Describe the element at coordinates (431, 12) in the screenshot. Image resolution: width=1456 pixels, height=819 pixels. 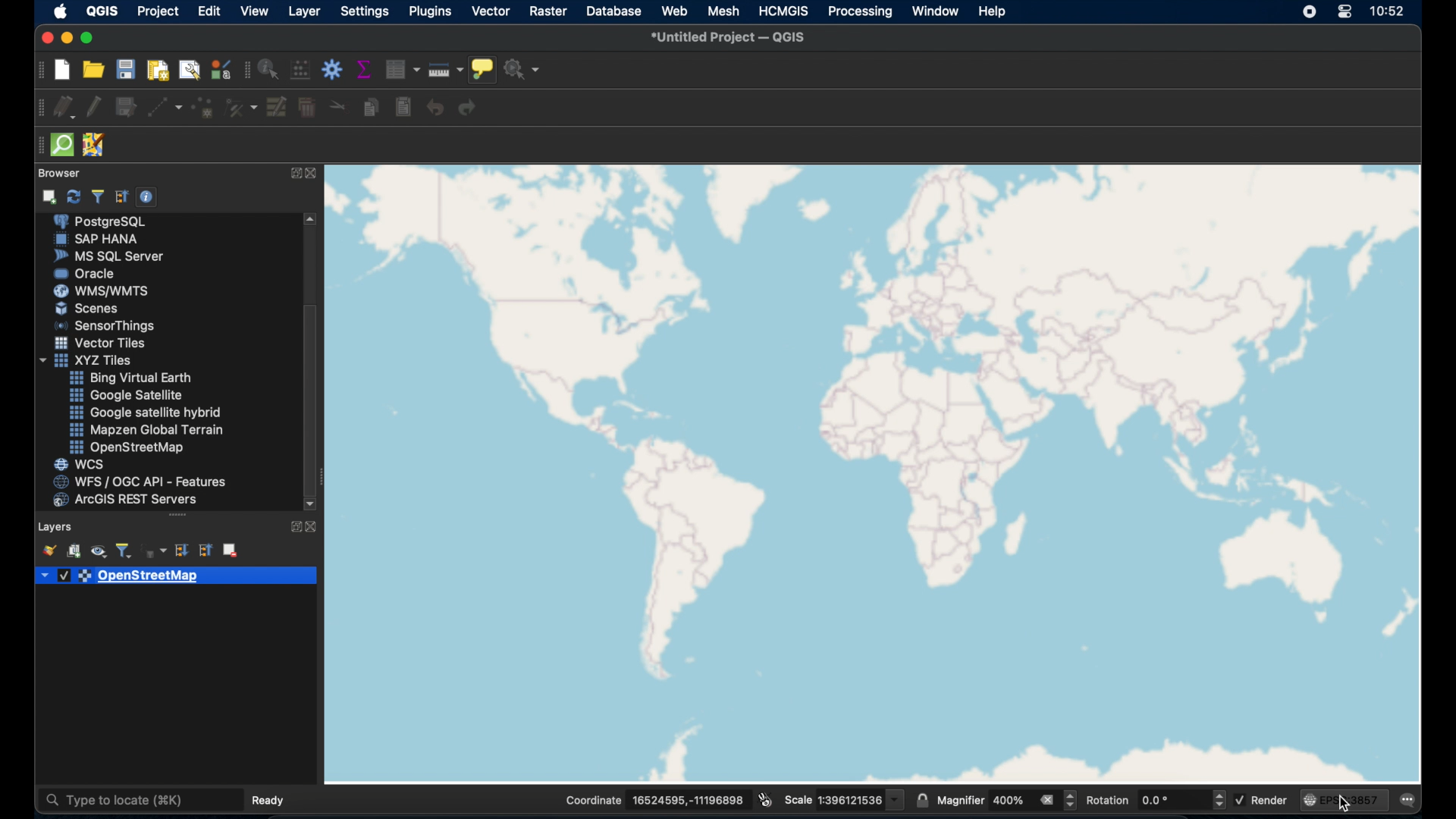
I see `plugins` at that location.